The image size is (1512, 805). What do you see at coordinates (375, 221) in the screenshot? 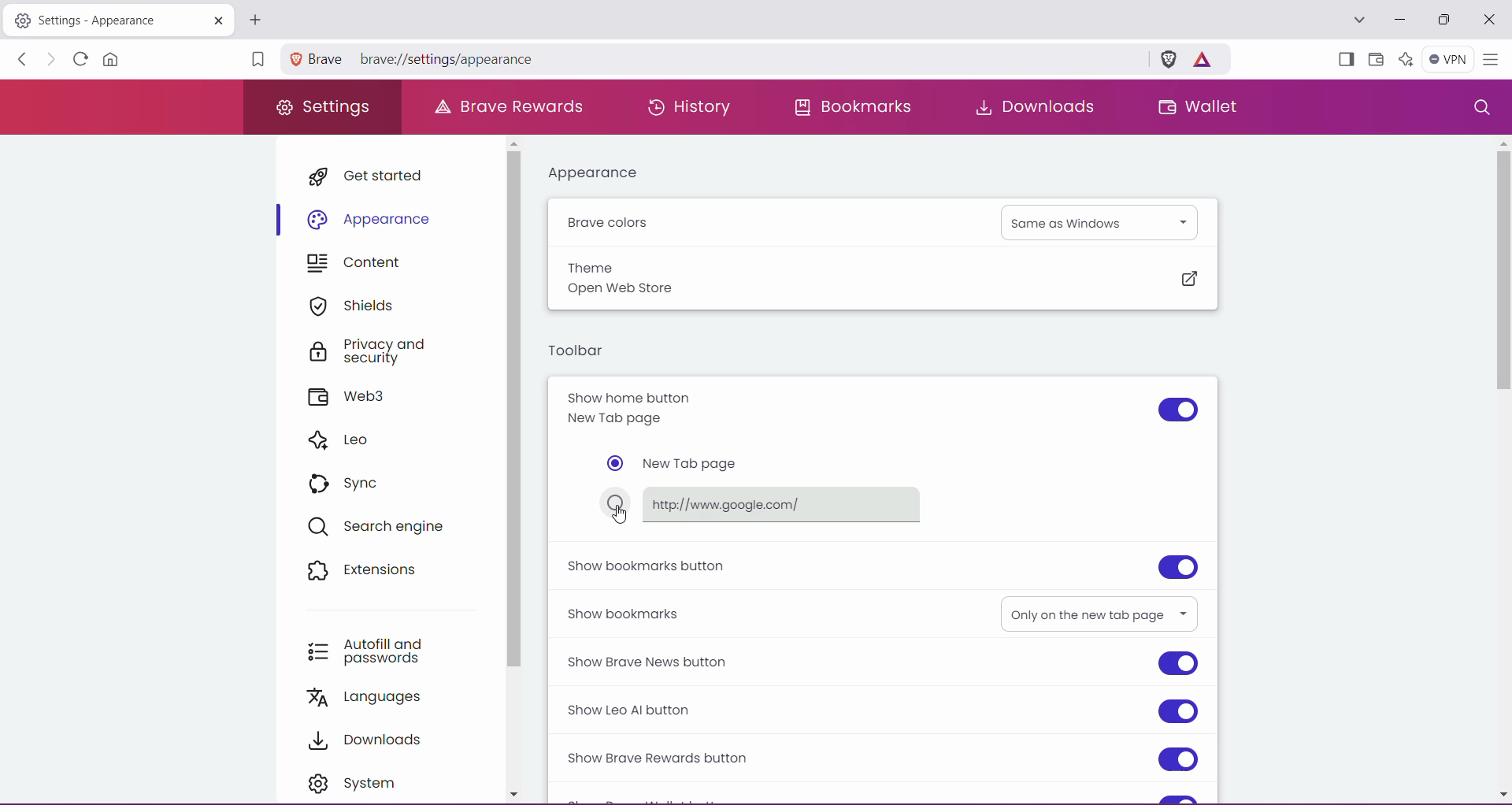
I see `Appearance` at bounding box center [375, 221].